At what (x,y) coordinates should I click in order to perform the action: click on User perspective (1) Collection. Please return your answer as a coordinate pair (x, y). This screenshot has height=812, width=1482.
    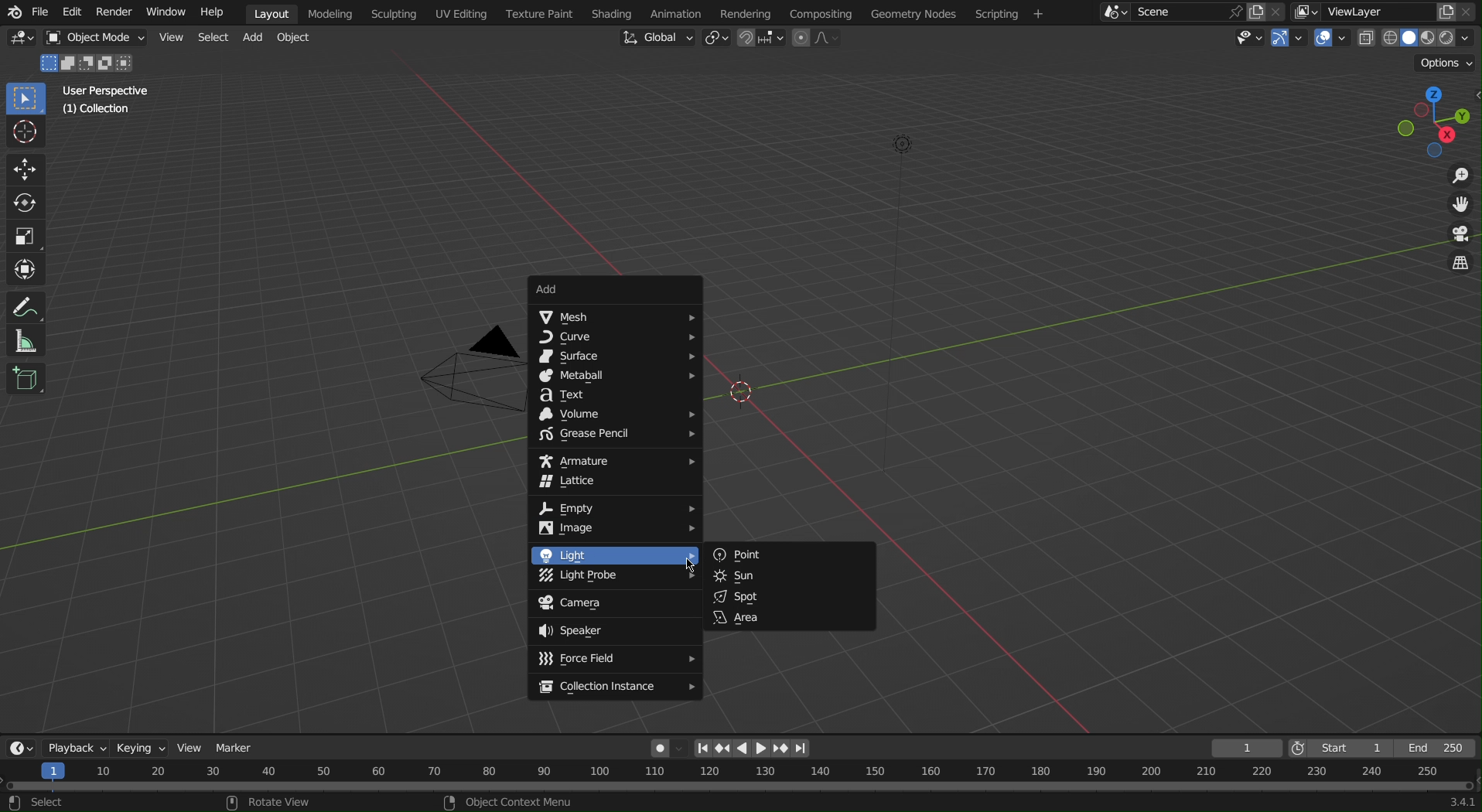
    Looking at the image, I should click on (104, 99).